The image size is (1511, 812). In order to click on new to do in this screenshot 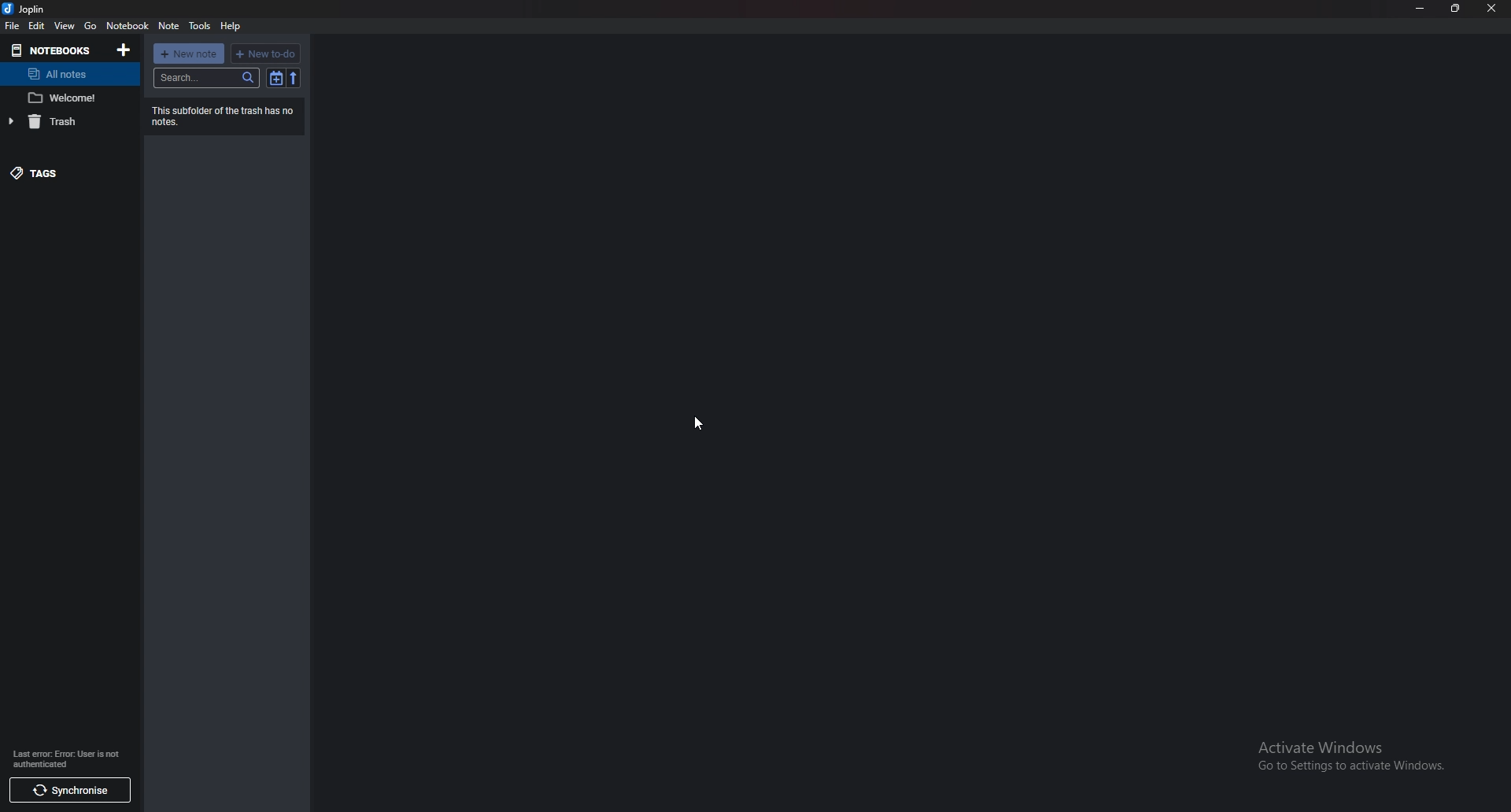, I will do `click(267, 54)`.